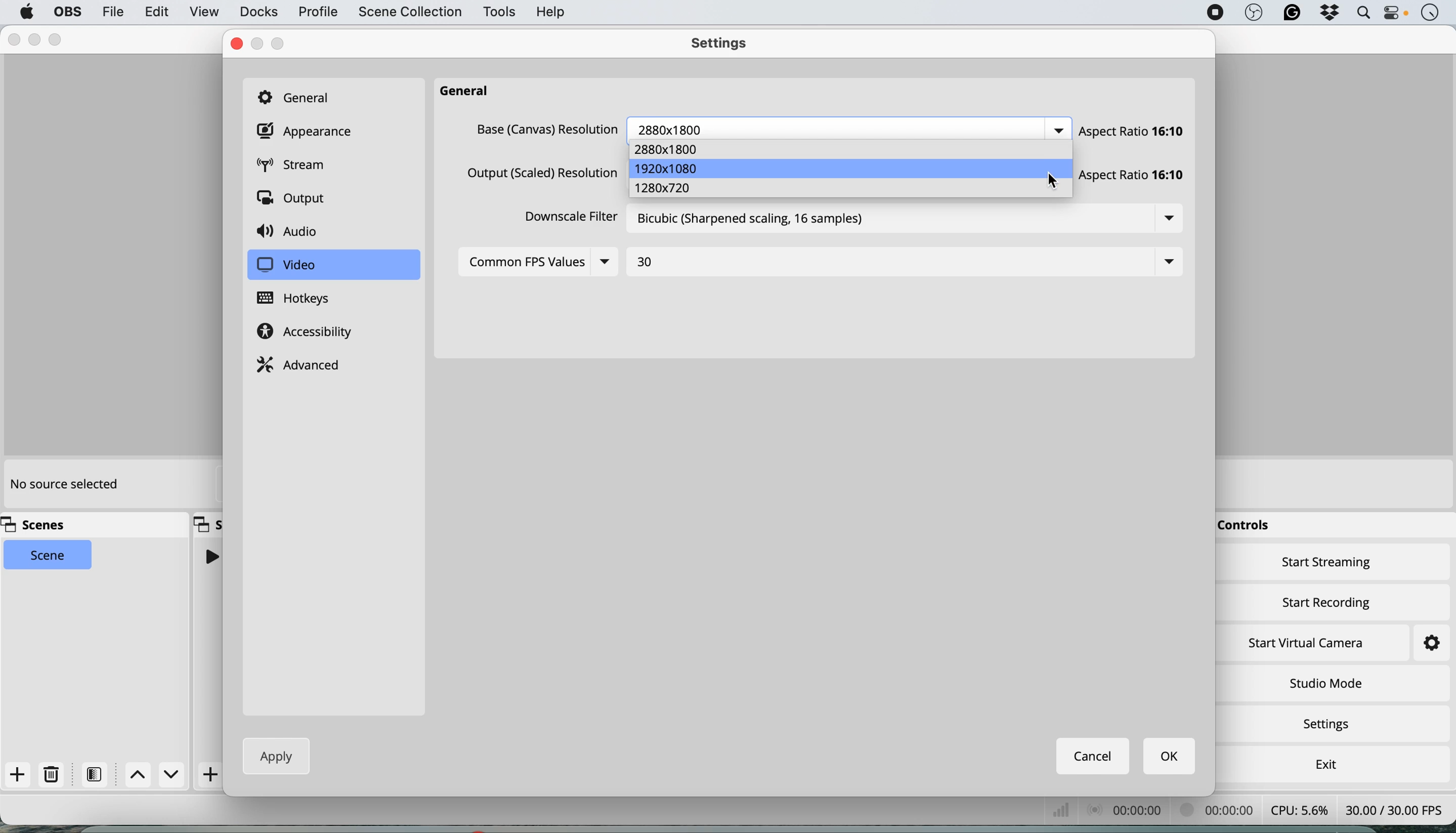 The height and width of the screenshot is (833, 1456). Describe the element at coordinates (539, 176) in the screenshot. I see `Output (Scaled) Resolution` at that location.